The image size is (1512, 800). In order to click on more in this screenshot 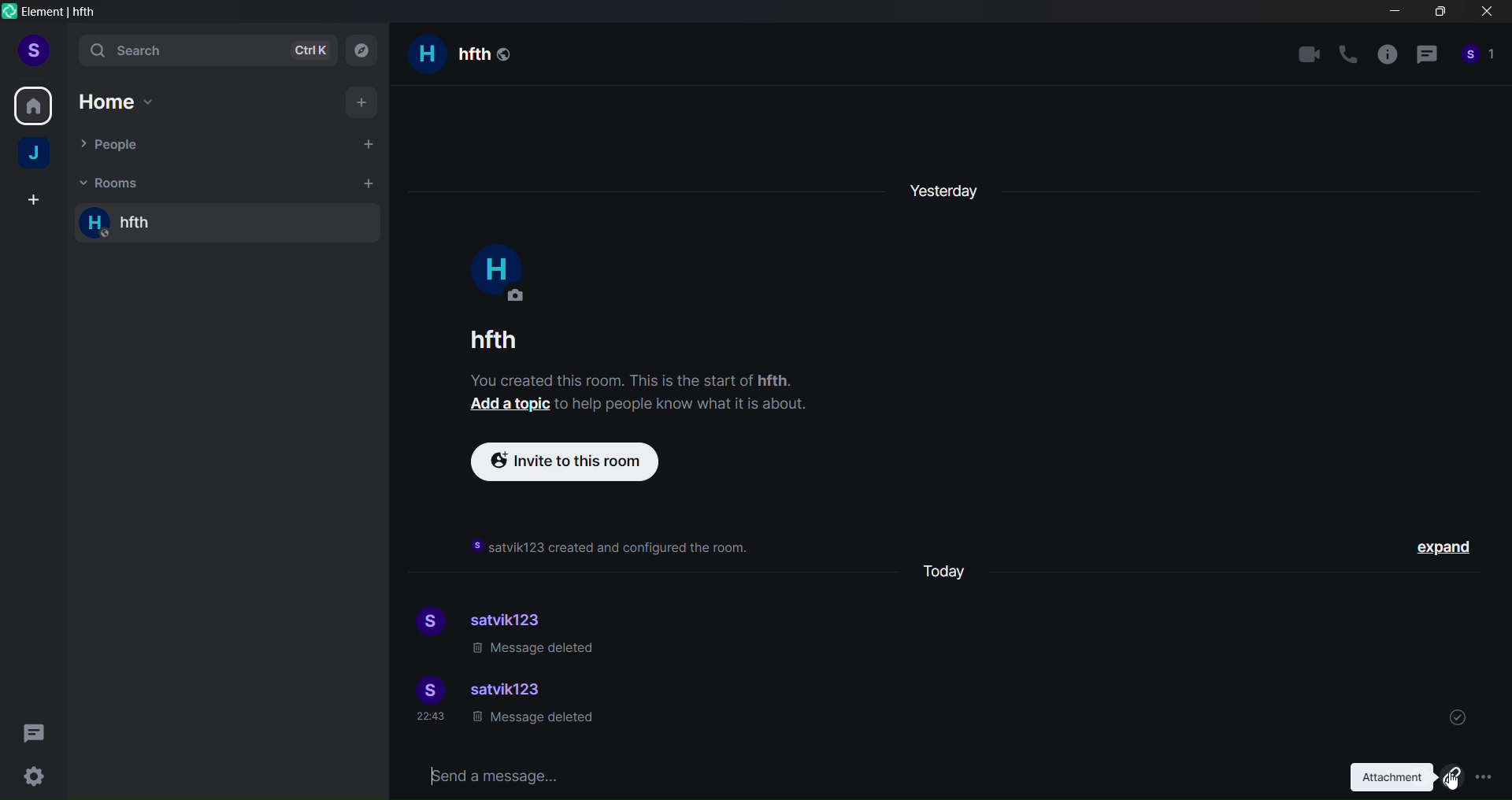, I will do `click(1484, 777)`.